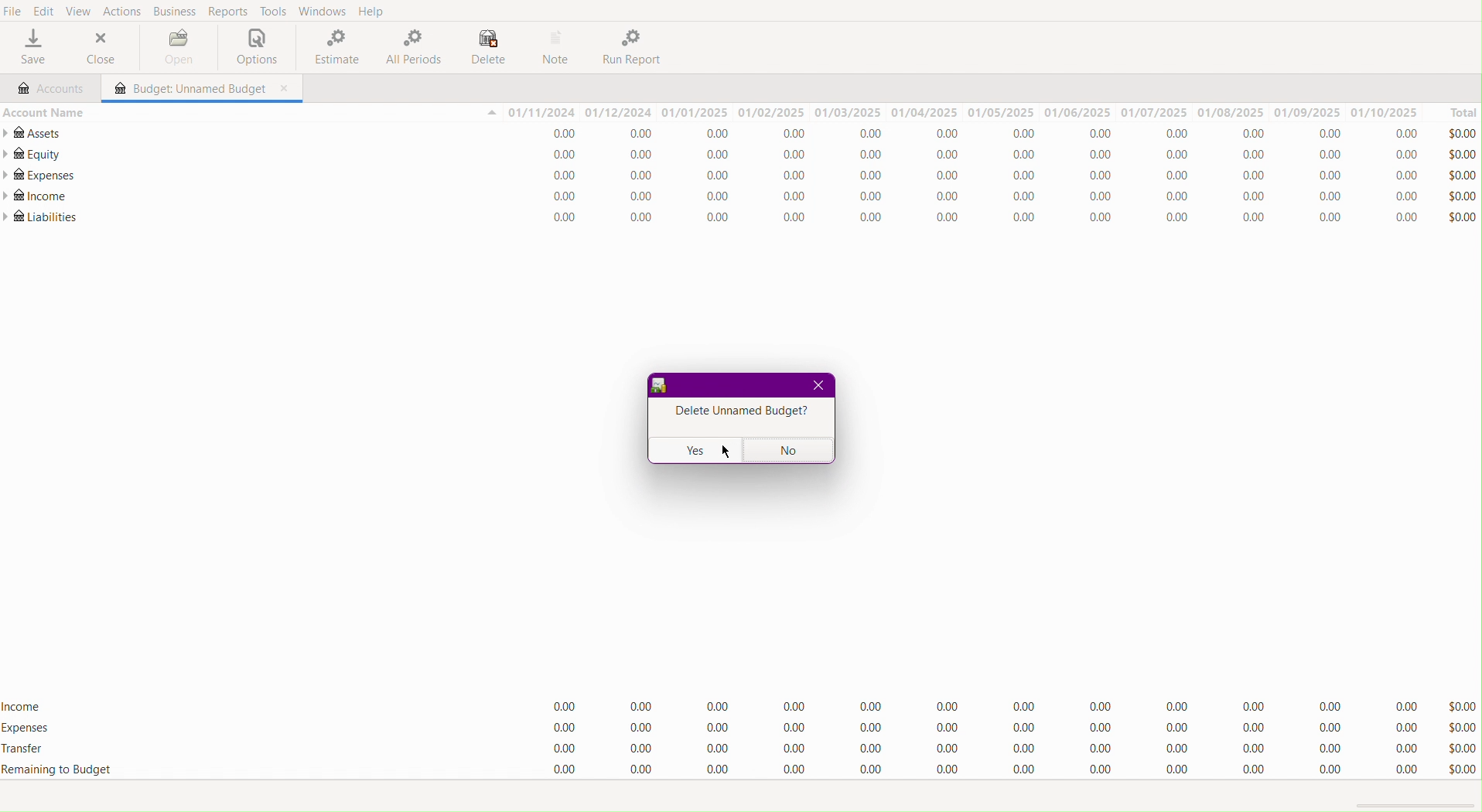 The height and width of the screenshot is (812, 1482). What do you see at coordinates (986, 156) in the screenshot?
I see `Equity Values` at bounding box center [986, 156].